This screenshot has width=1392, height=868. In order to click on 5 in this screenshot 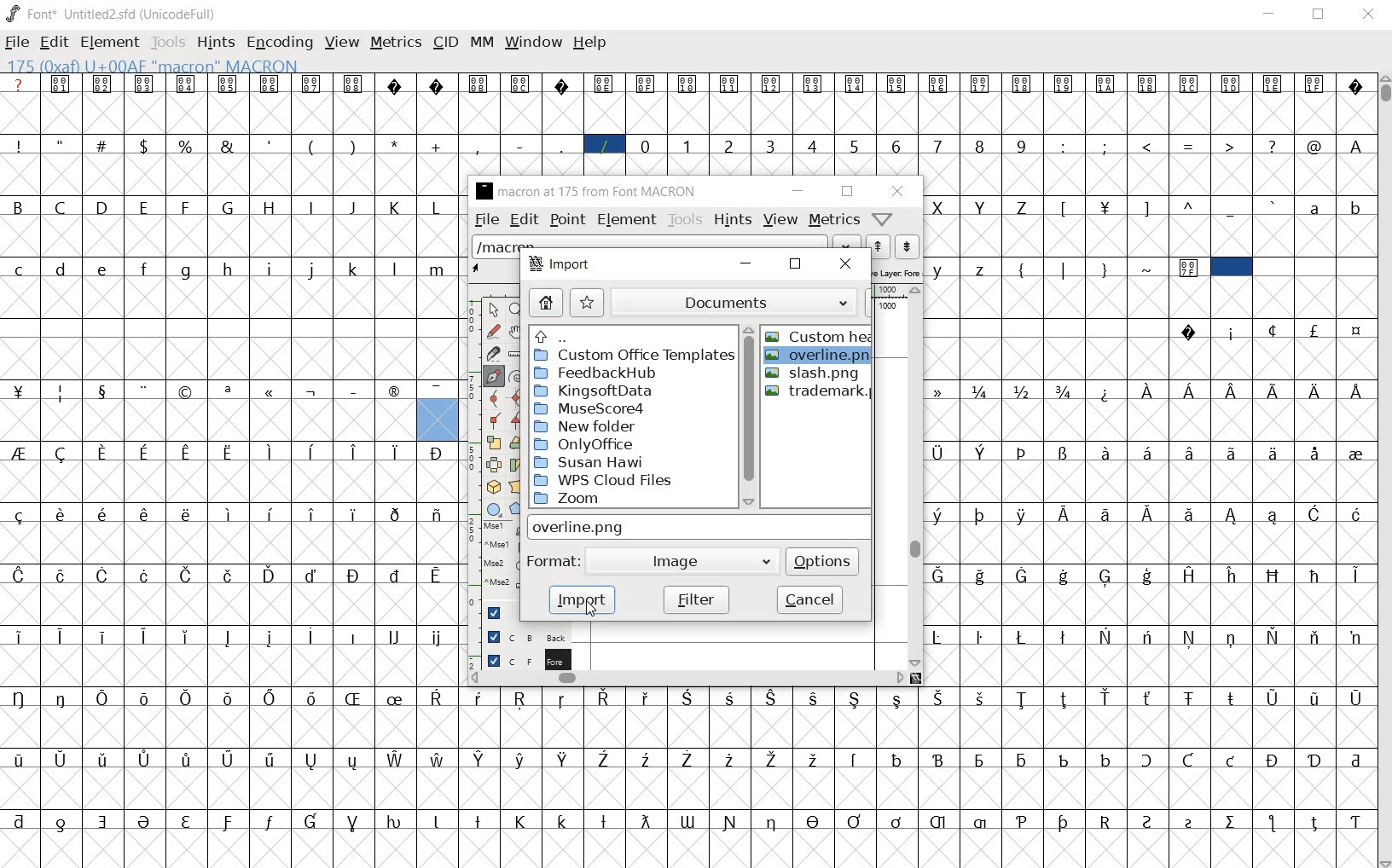, I will do `click(857, 145)`.